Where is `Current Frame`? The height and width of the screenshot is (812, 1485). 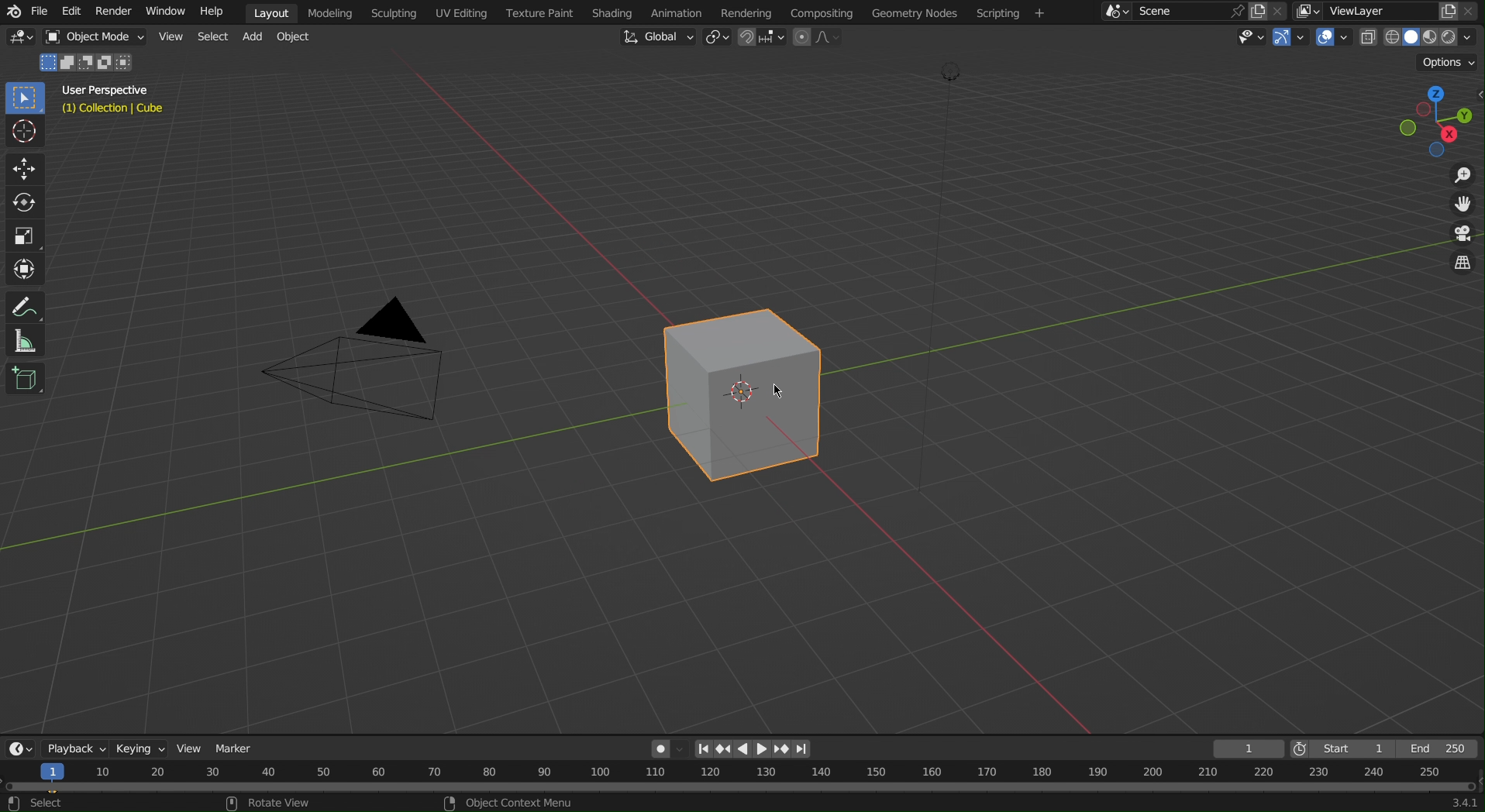 Current Frame is located at coordinates (1247, 748).